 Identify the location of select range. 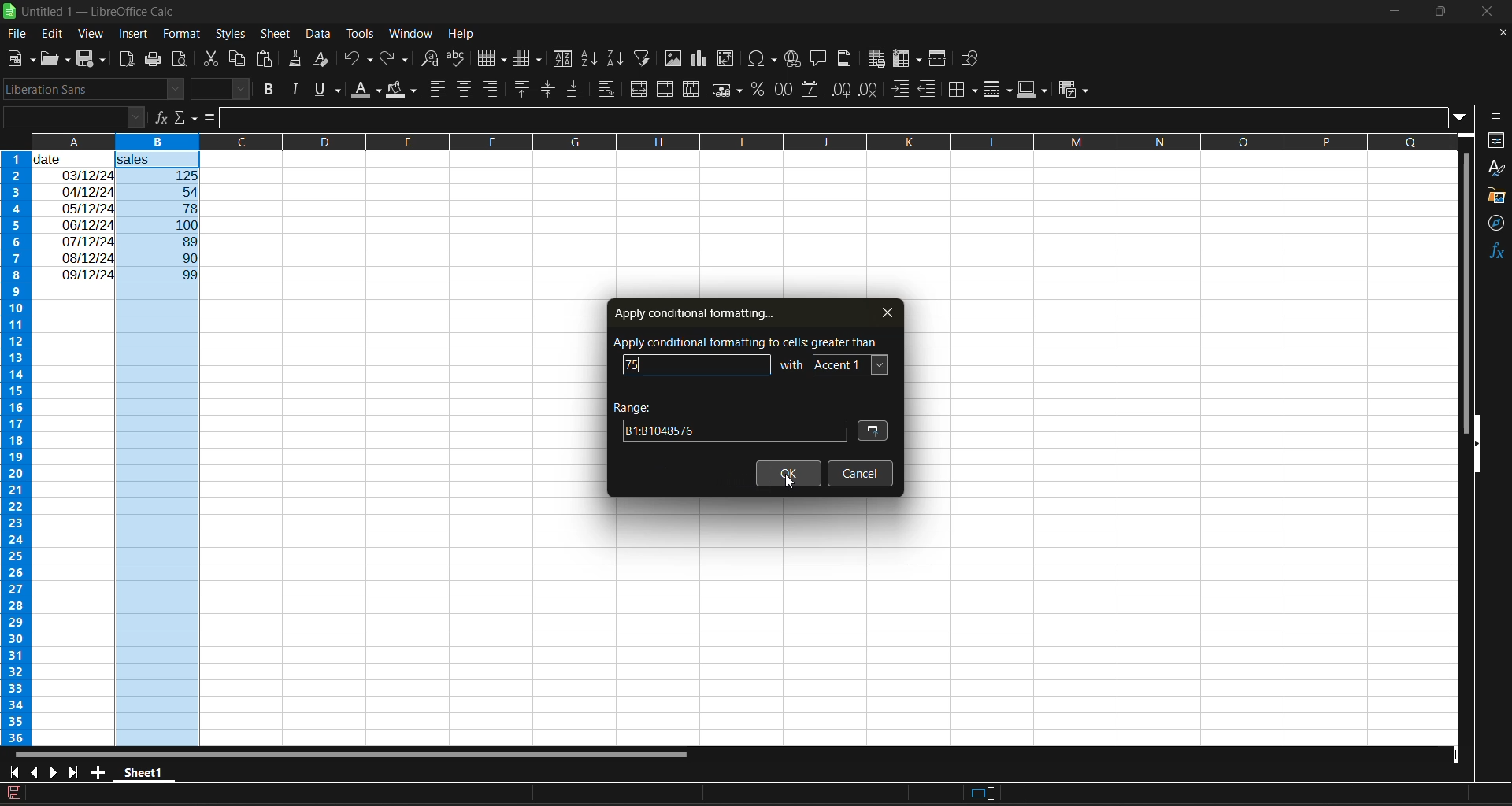
(875, 432).